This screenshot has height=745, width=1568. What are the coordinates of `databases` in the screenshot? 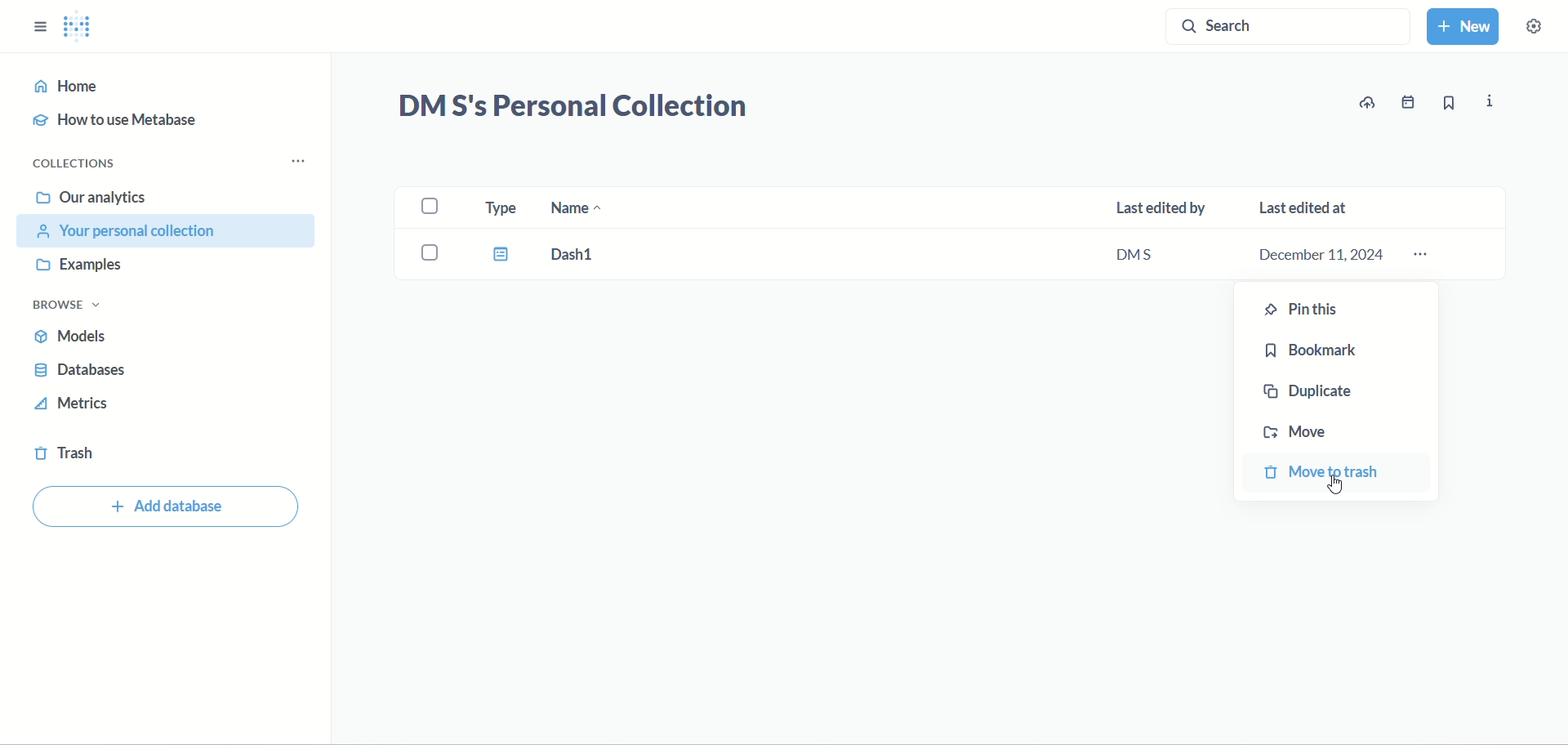 It's located at (82, 372).